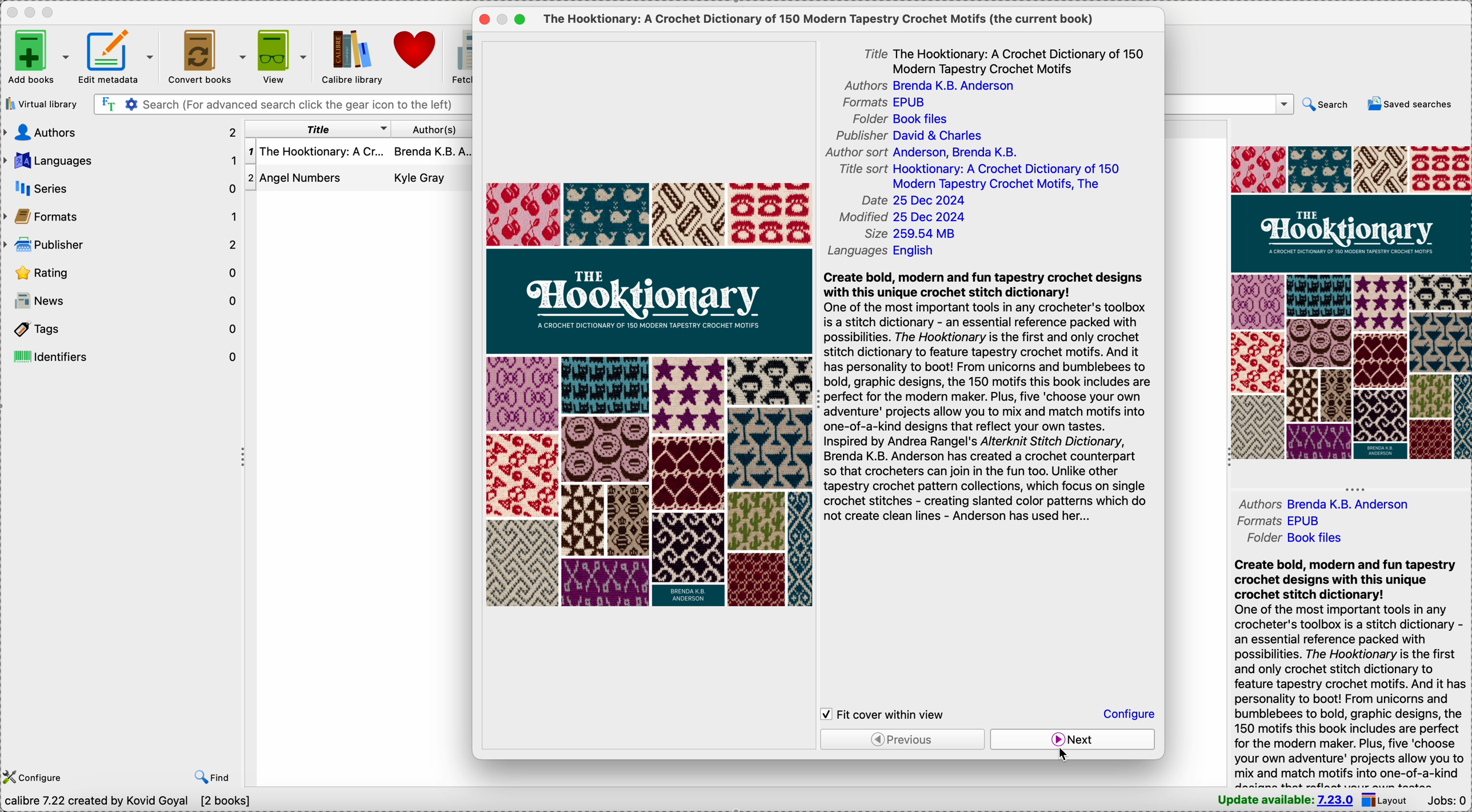  What do you see at coordinates (283, 55) in the screenshot?
I see `view` at bounding box center [283, 55].